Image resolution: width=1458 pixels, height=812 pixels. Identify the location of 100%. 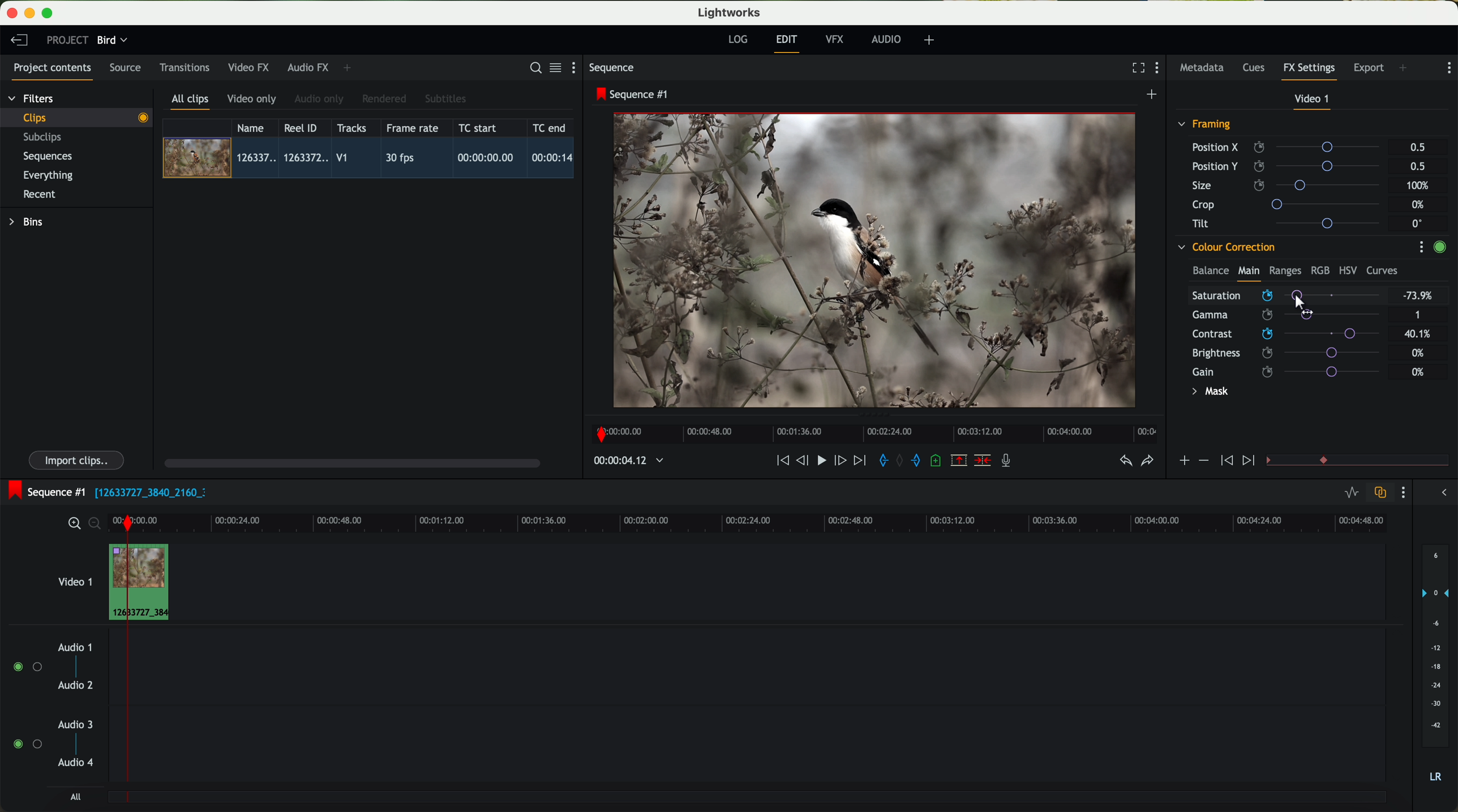
(1421, 186).